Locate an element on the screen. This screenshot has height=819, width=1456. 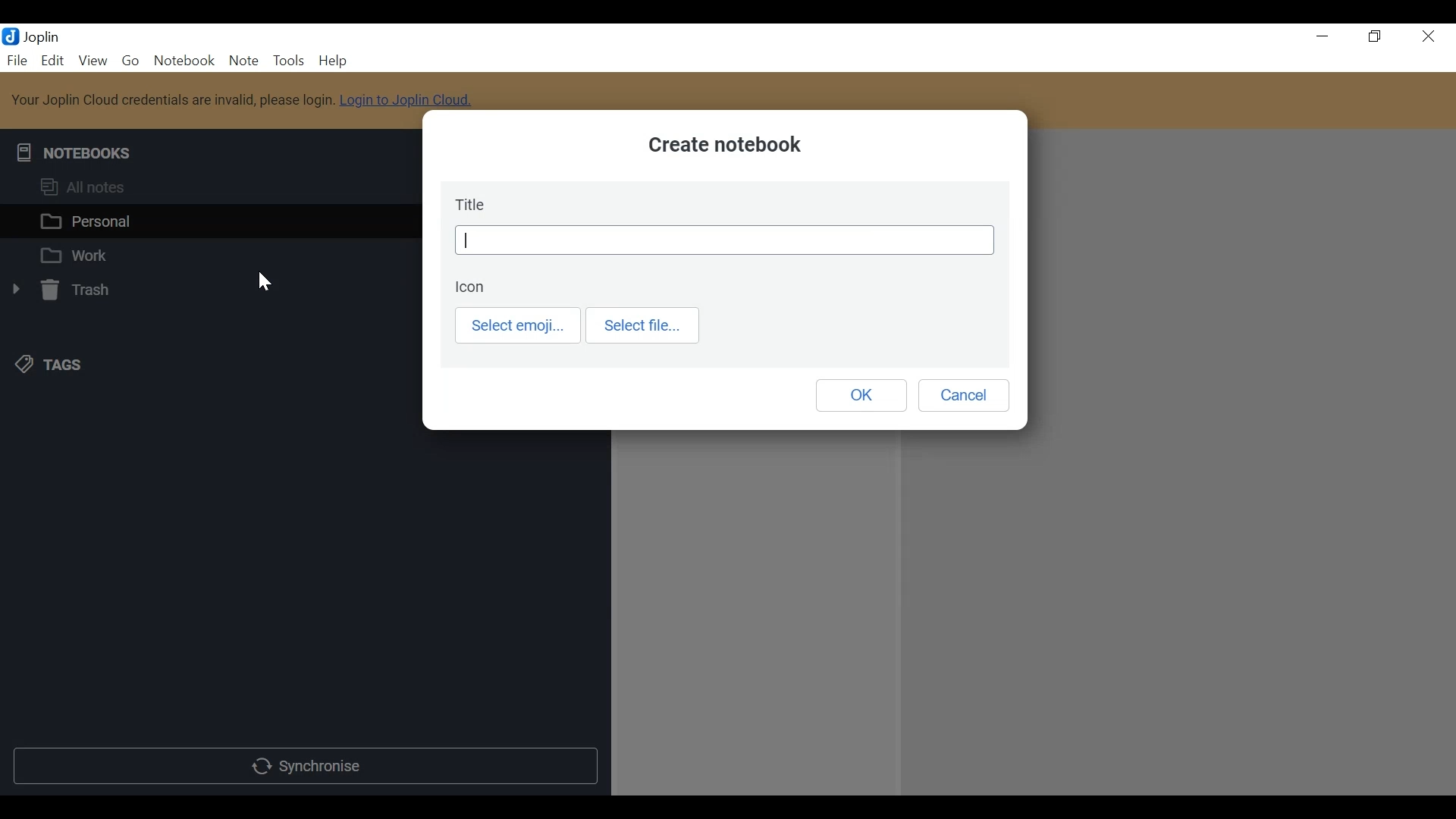
View is located at coordinates (93, 61).